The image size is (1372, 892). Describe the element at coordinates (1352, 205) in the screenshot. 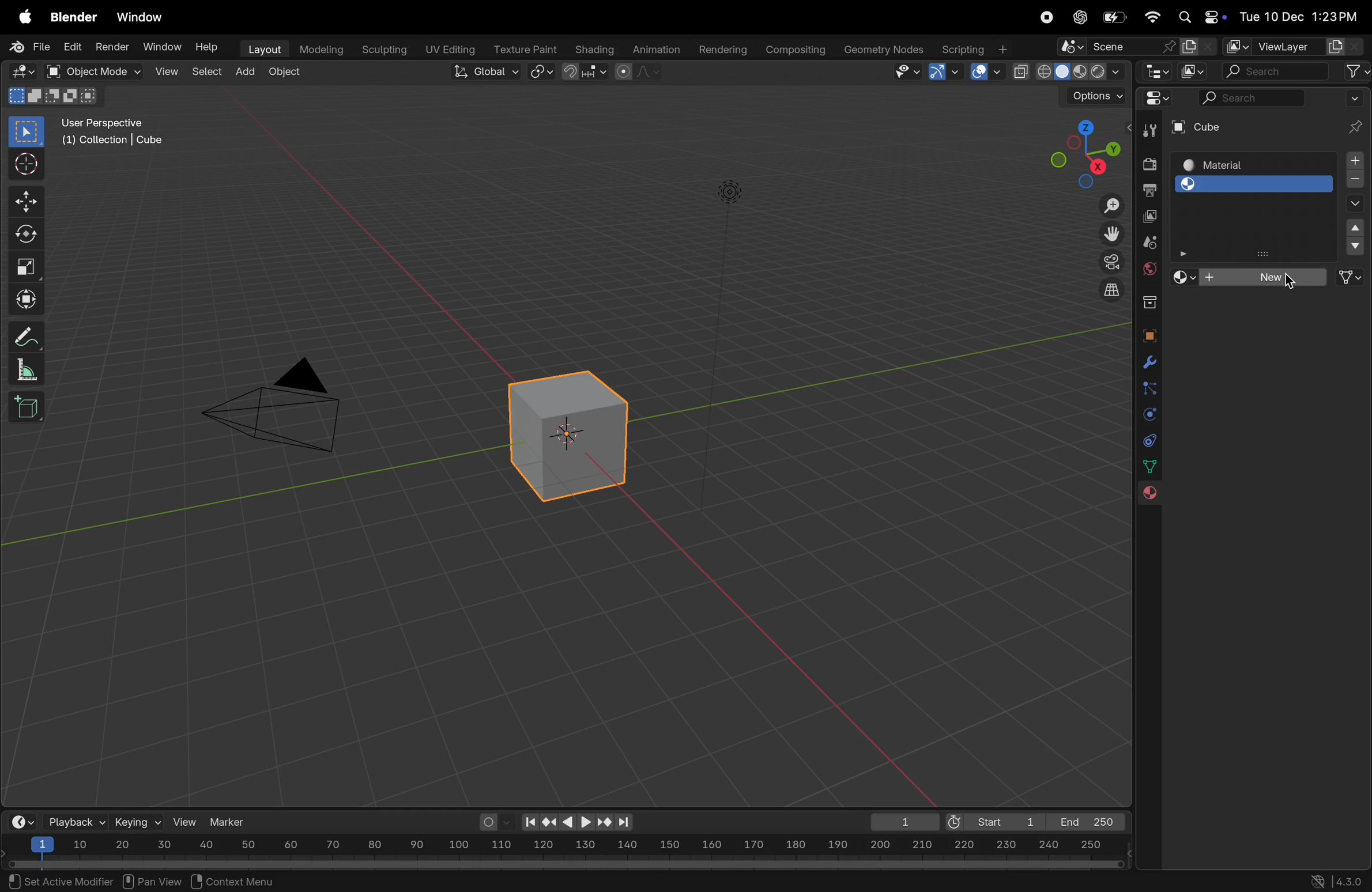

I see `drop down` at that location.